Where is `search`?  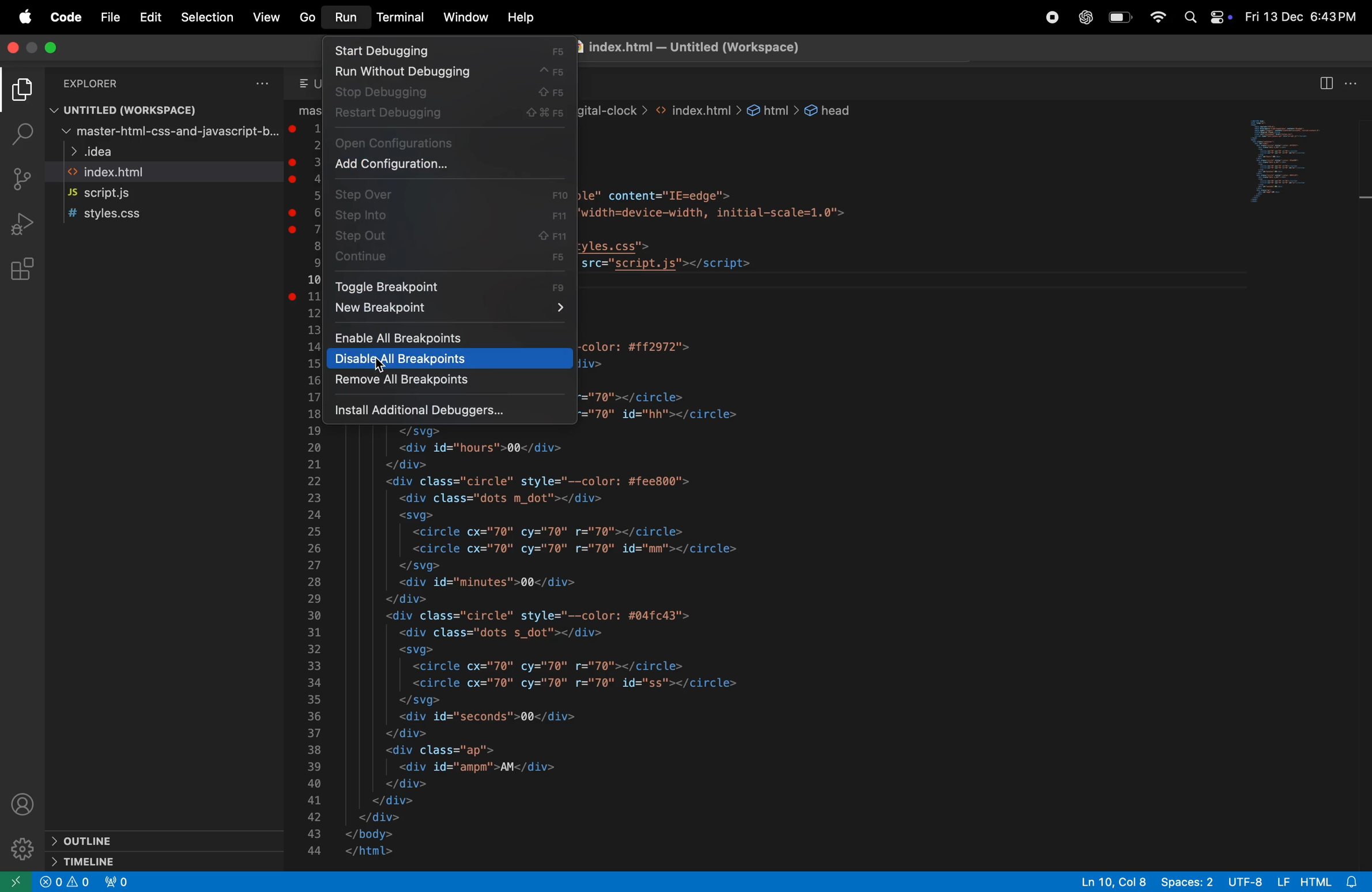
search is located at coordinates (20, 131).